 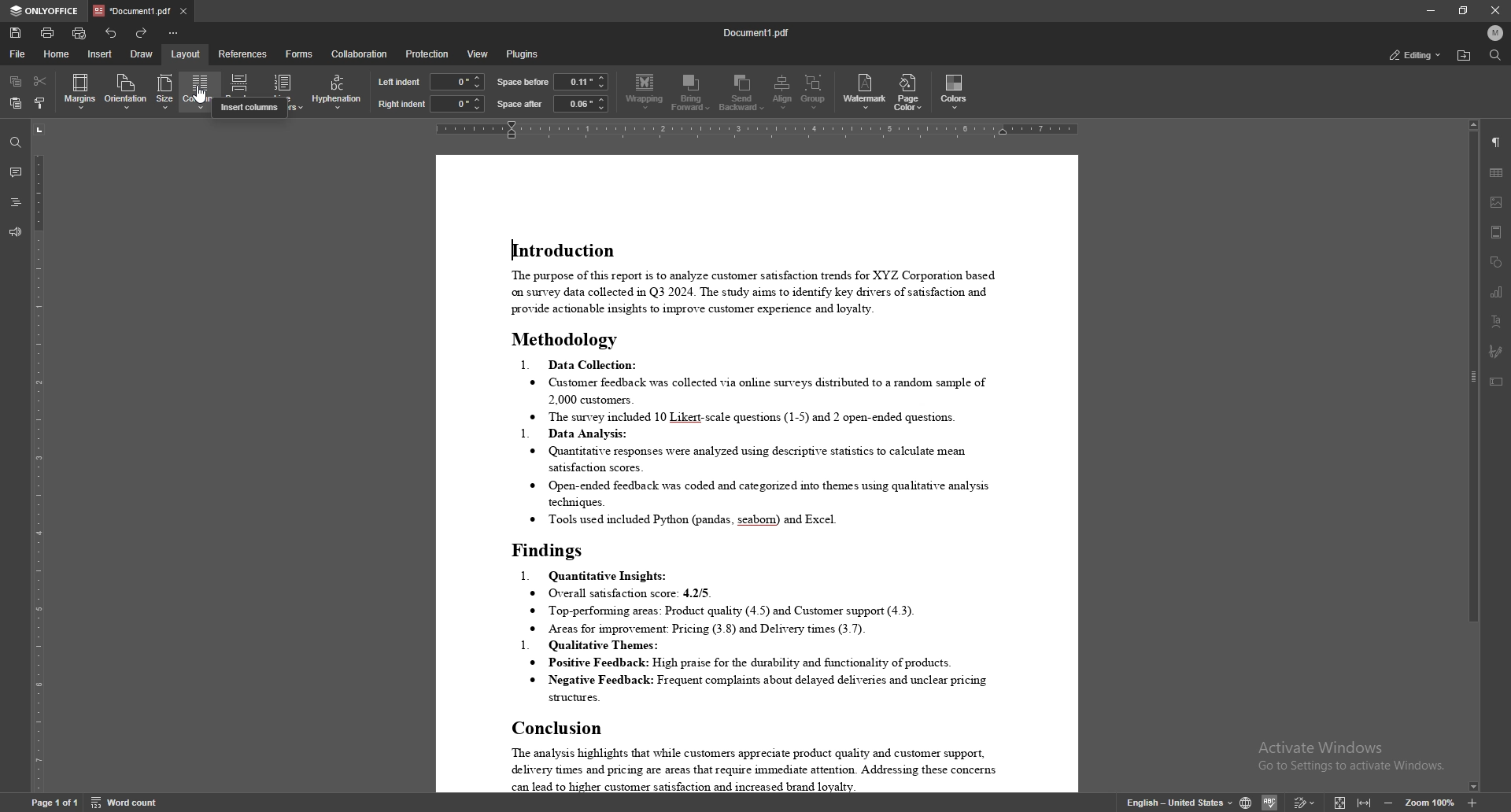 I want to click on change doc language, so click(x=1245, y=800).